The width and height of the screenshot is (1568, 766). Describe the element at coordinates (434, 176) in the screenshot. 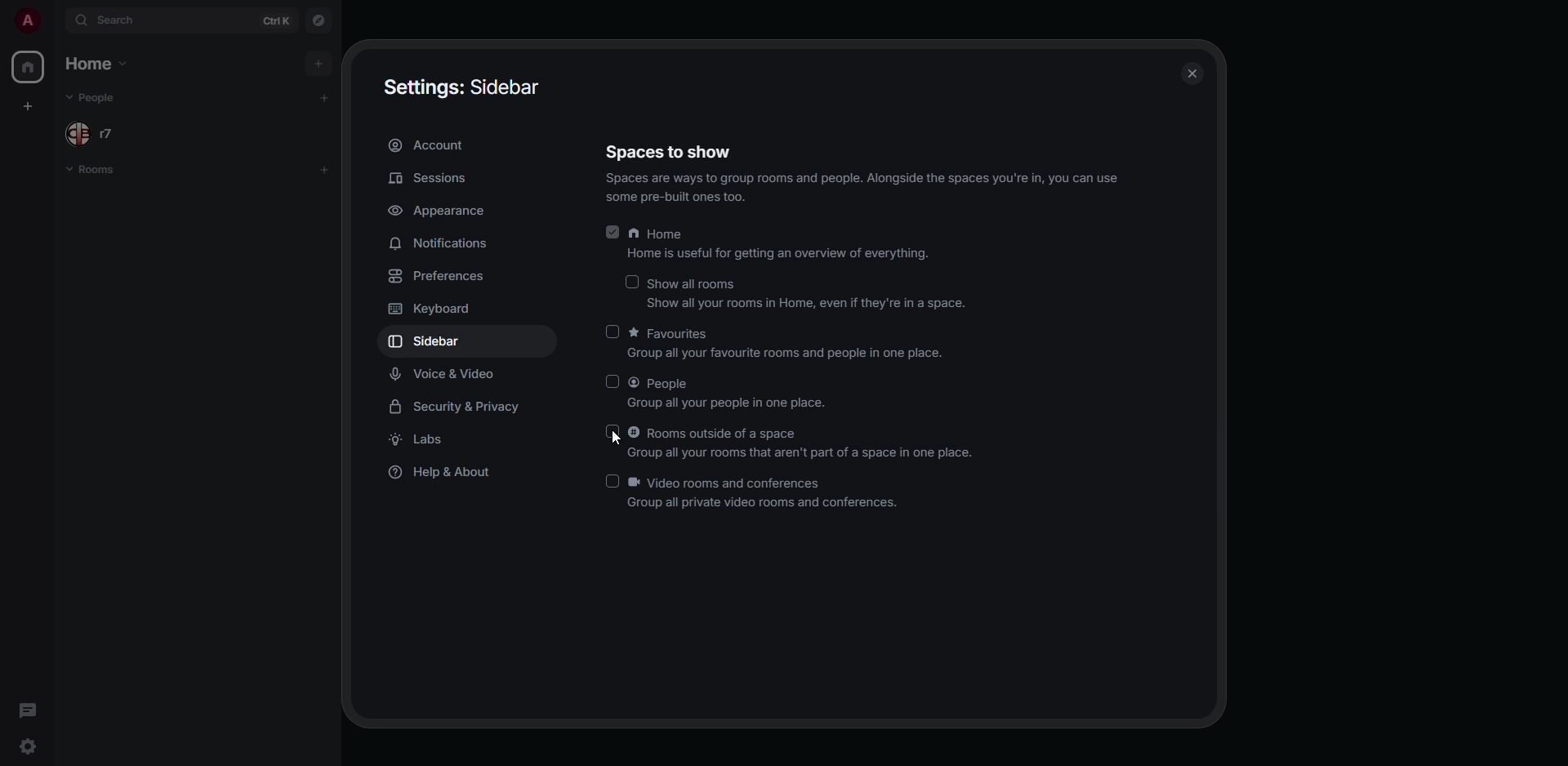

I see `sessions` at that location.